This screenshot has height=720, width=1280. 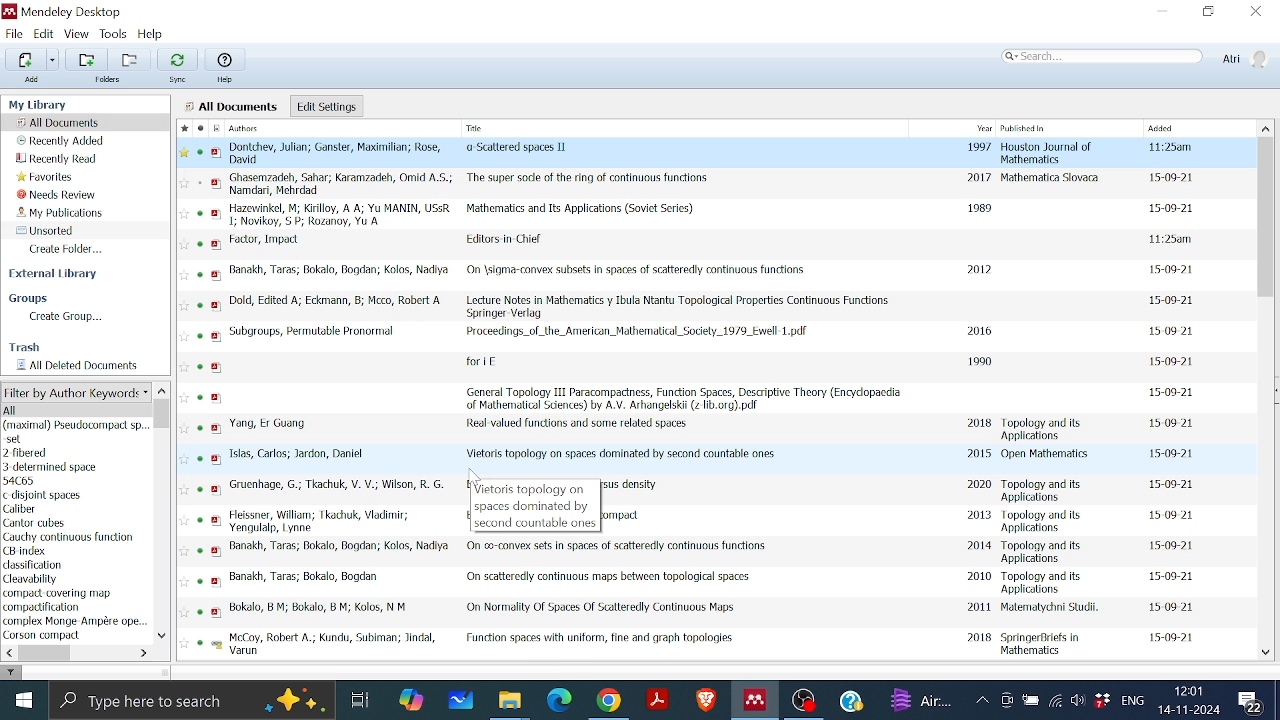 What do you see at coordinates (1172, 330) in the screenshot?
I see `date` at bounding box center [1172, 330].